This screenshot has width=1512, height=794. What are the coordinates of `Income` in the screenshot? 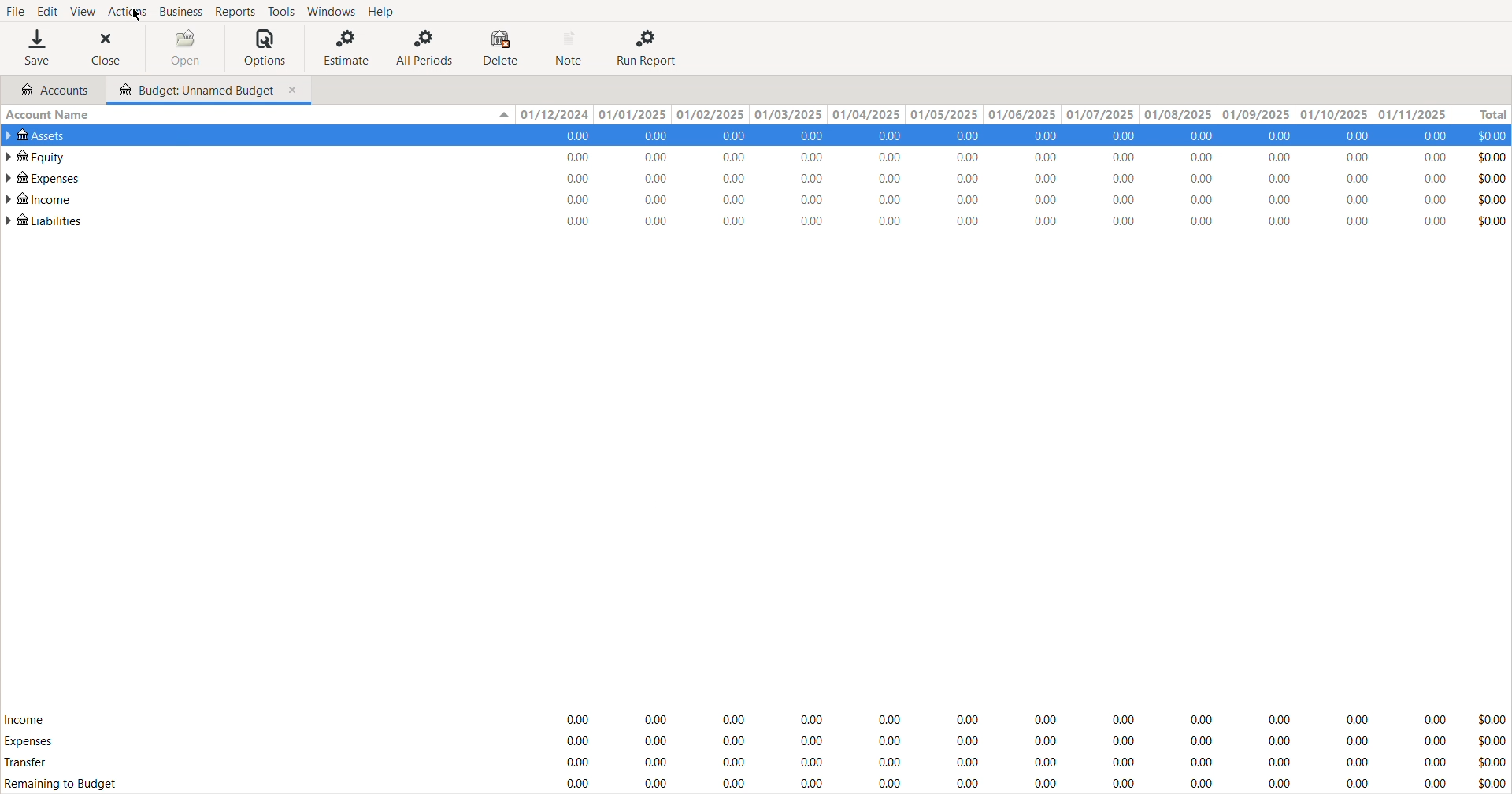 It's located at (39, 198).